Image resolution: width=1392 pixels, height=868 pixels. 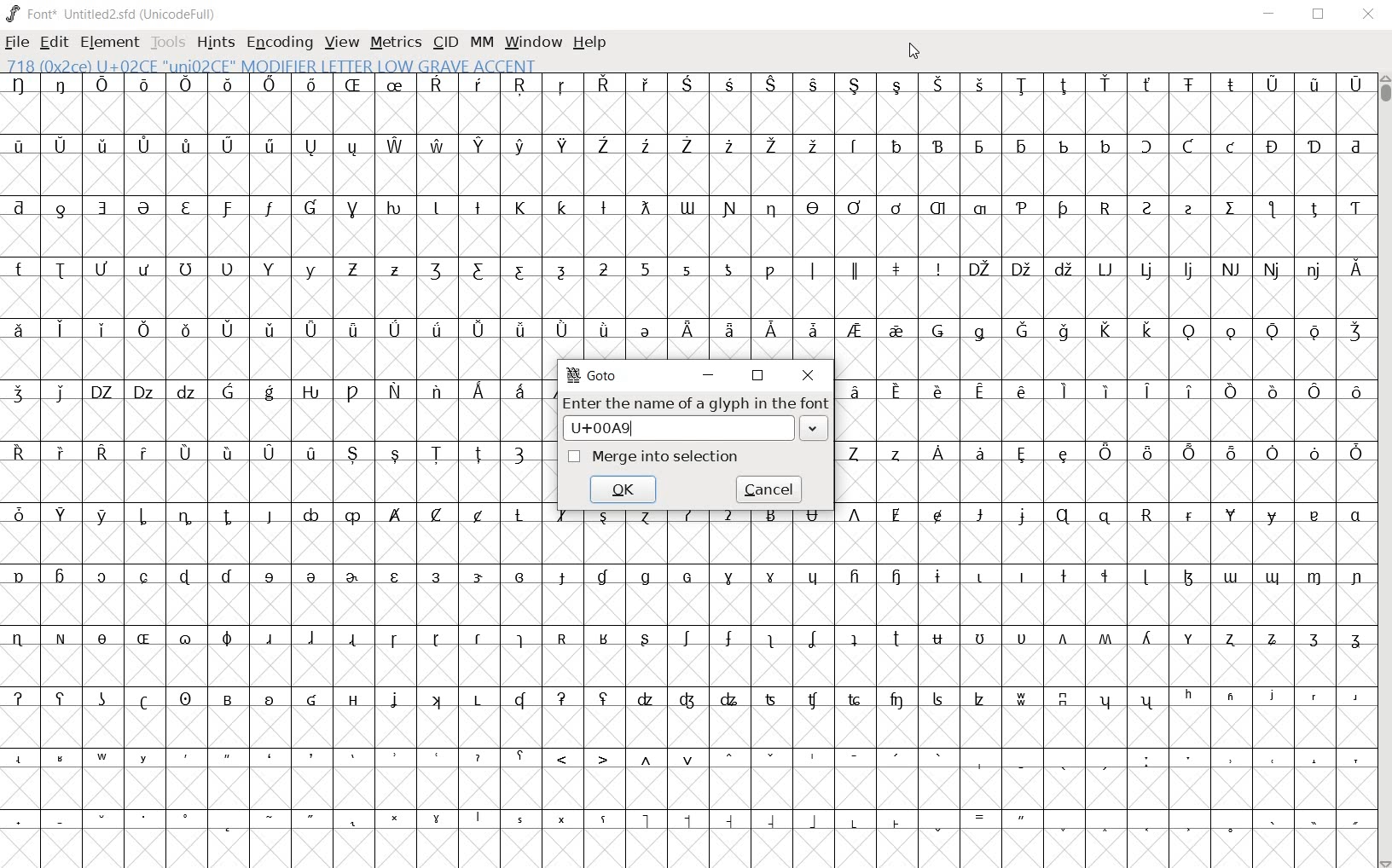 I want to click on element, so click(x=109, y=42).